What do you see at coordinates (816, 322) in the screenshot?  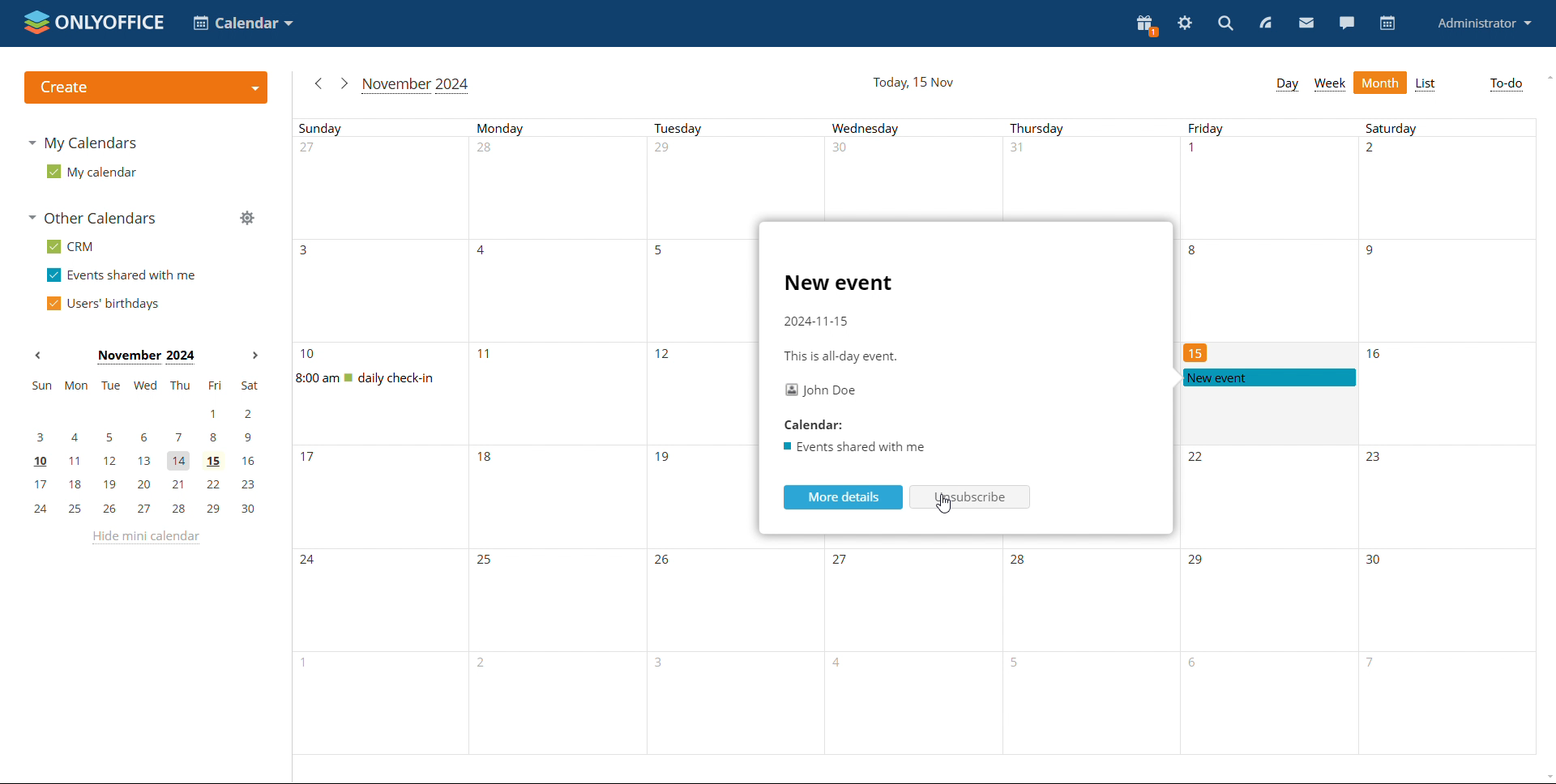 I see `timing` at bounding box center [816, 322].